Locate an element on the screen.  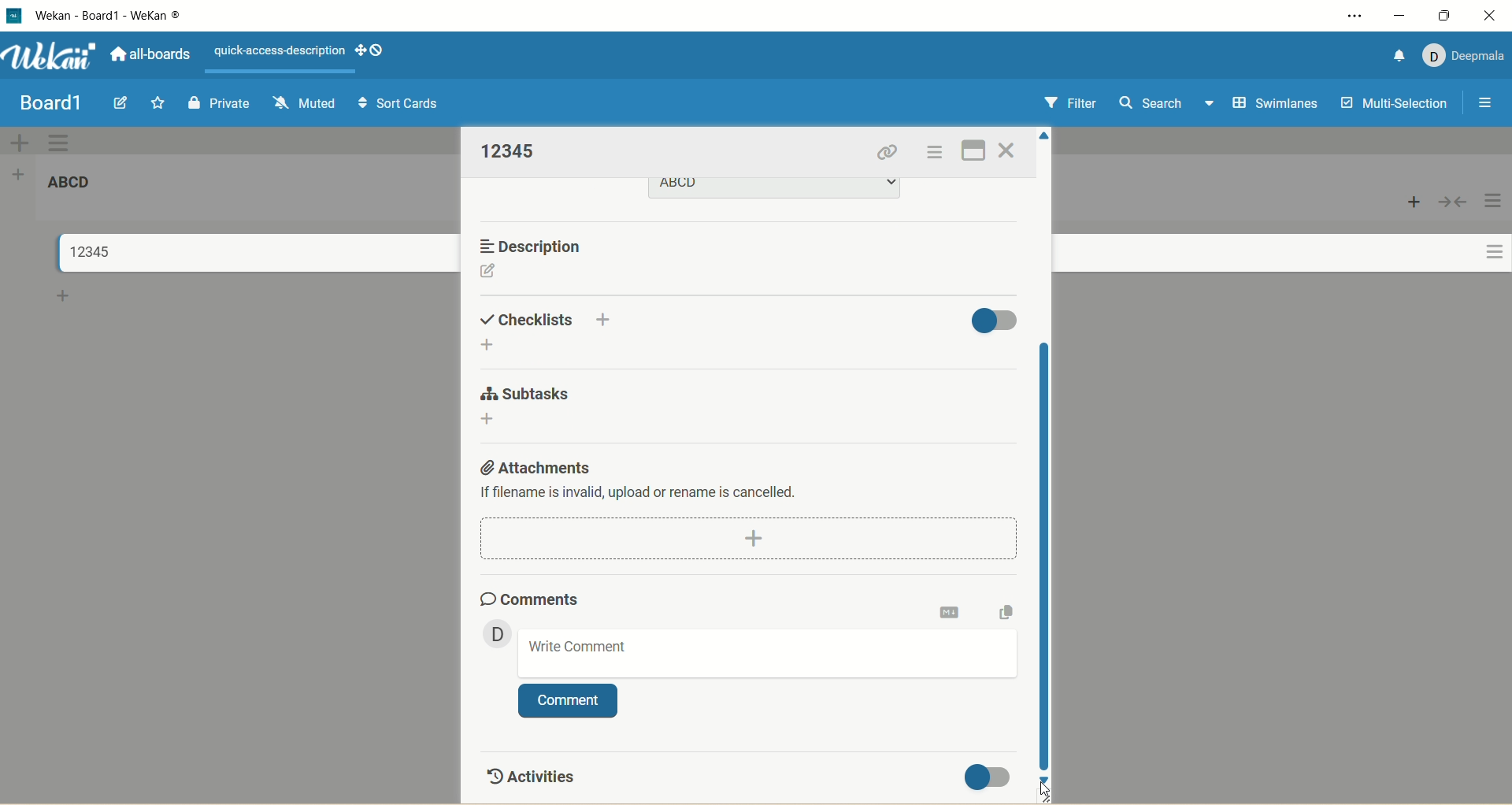
minimize is located at coordinates (1398, 16).